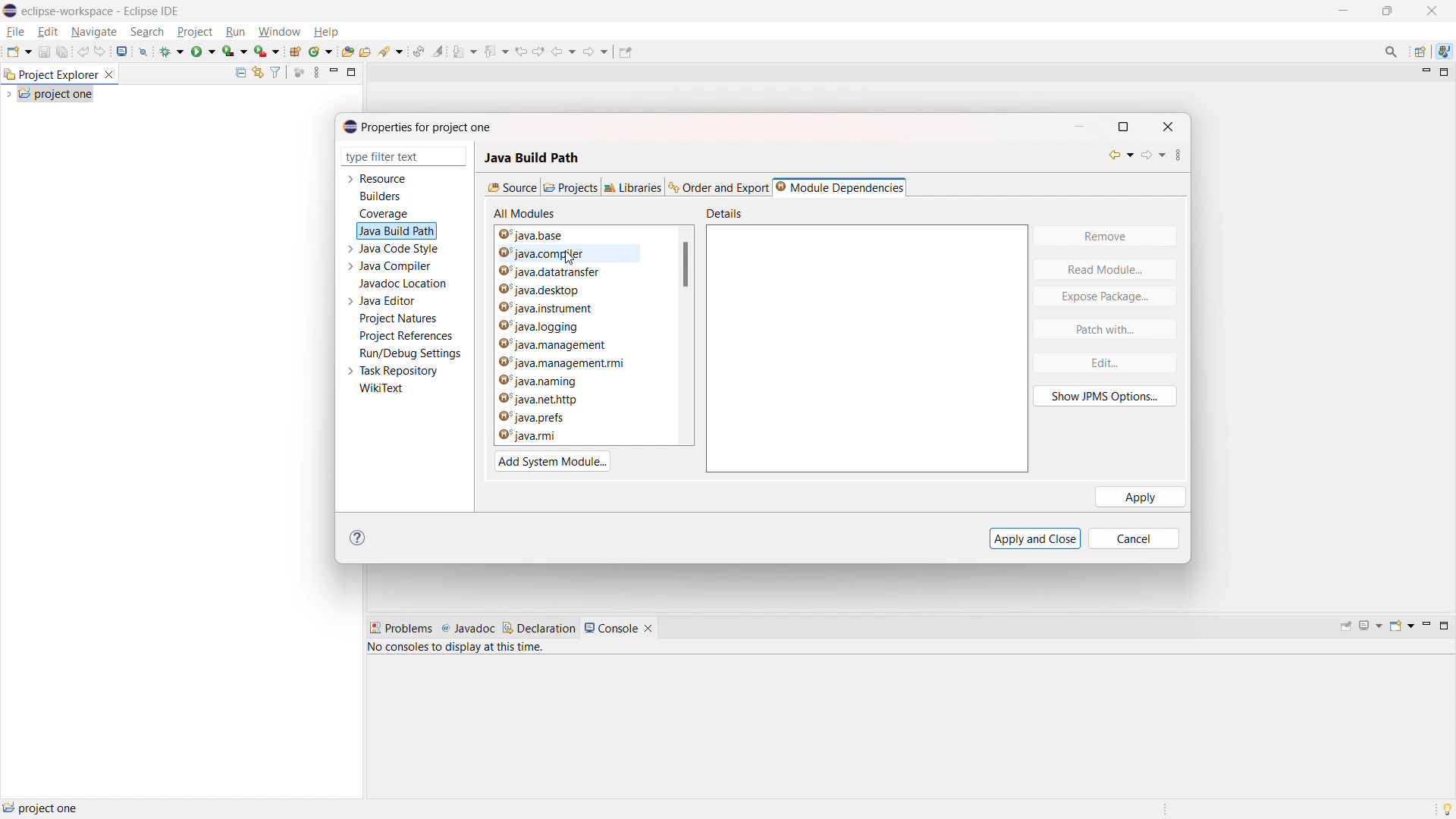  Describe the element at coordinates (495, 50) in the screenshot. I see `previous annotation` at that location.